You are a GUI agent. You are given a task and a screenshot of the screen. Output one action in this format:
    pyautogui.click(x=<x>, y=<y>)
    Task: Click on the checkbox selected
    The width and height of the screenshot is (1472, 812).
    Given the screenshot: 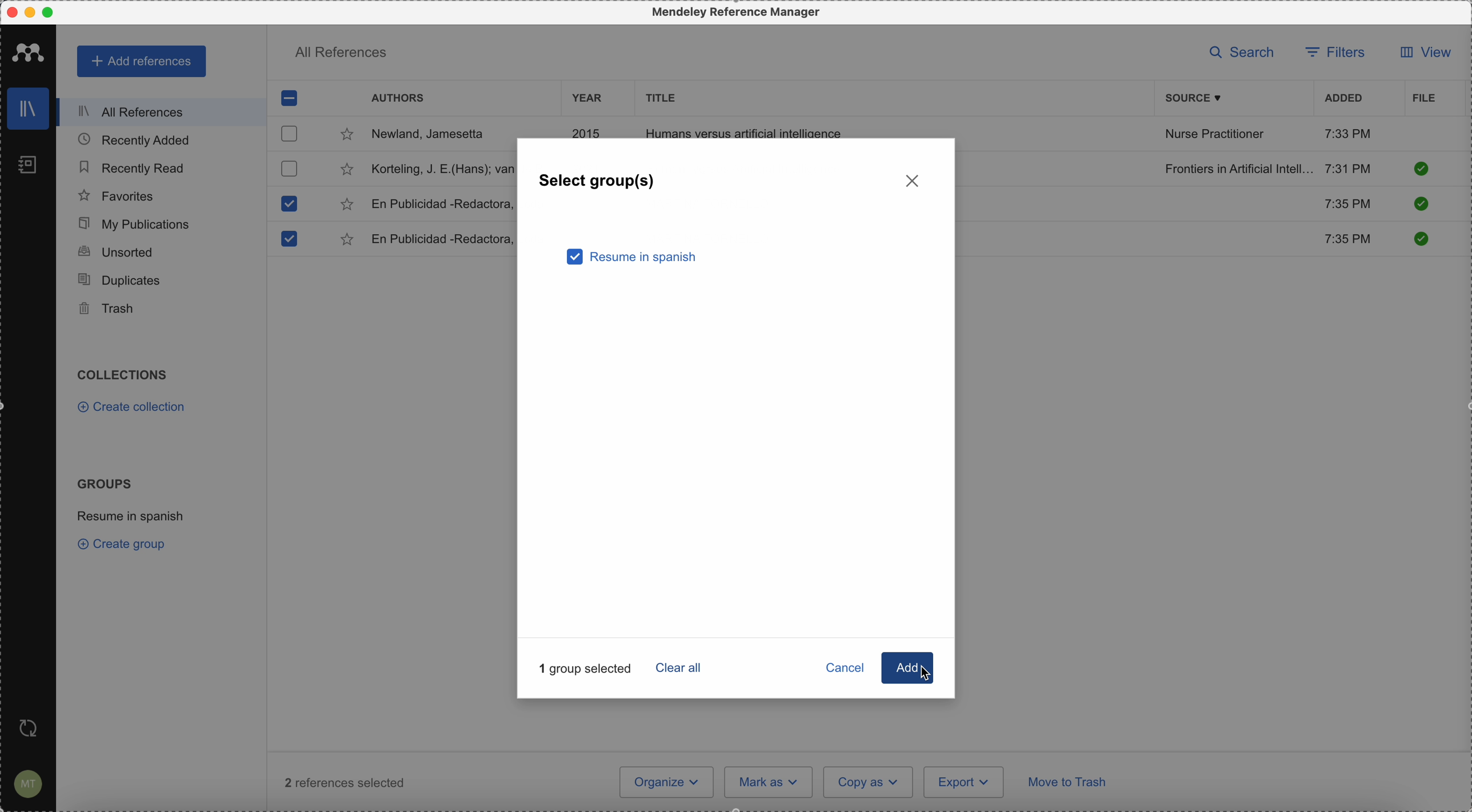 What is the action you would take?
    pyautogui.click(x=288, y=203)
    